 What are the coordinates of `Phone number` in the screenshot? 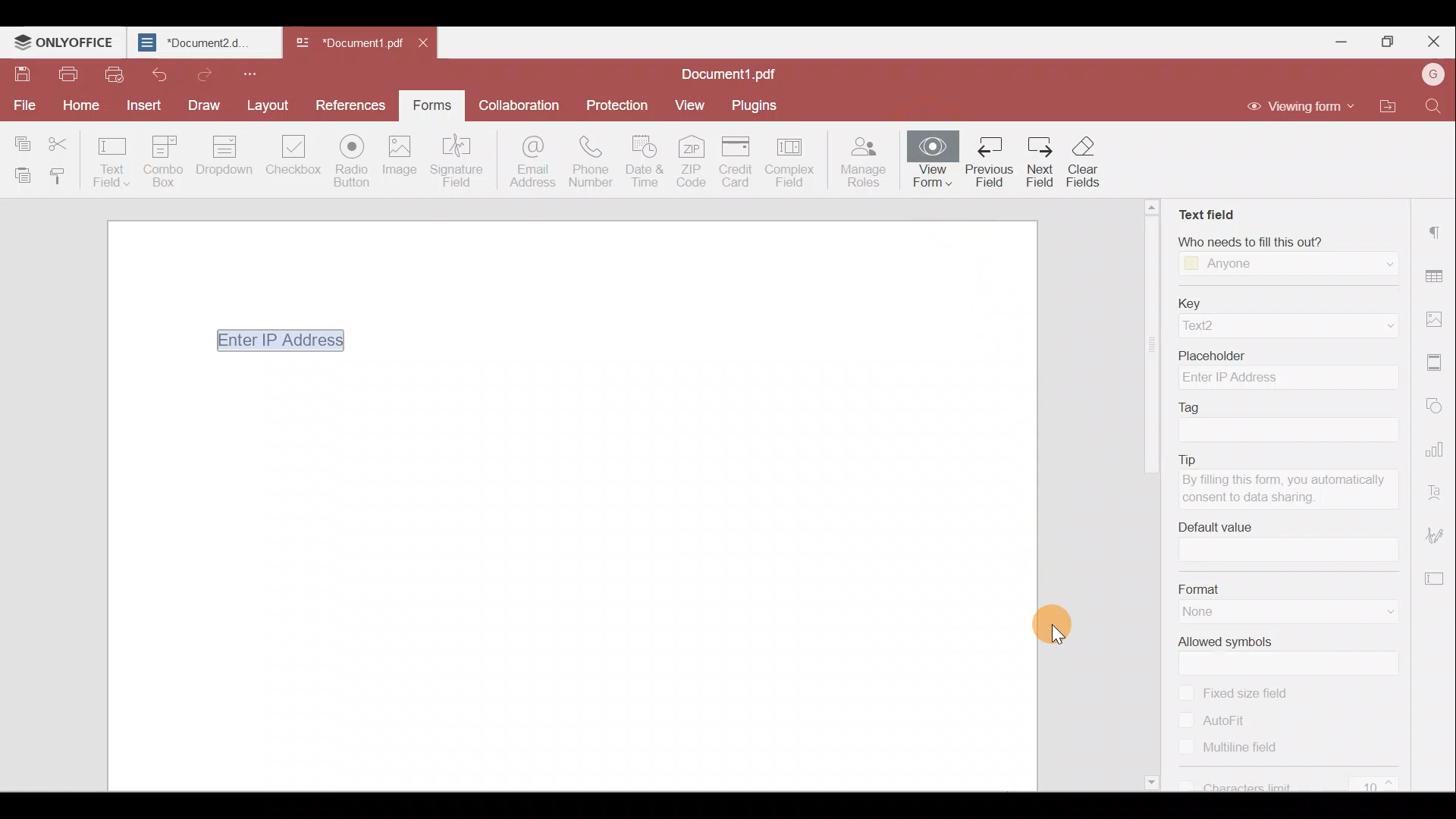 It's located at (591, 163).